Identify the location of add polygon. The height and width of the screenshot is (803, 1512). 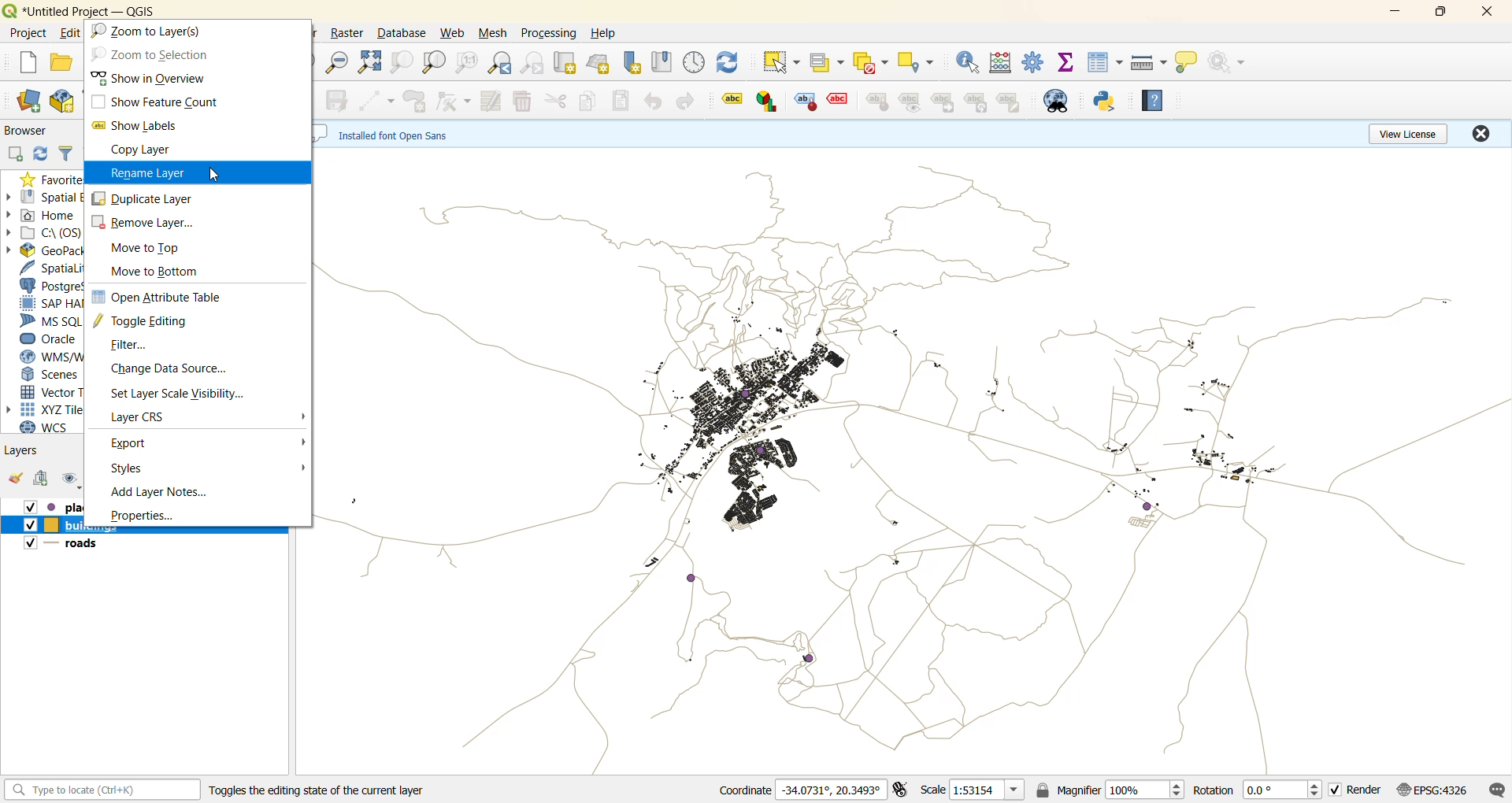
(415, 100).